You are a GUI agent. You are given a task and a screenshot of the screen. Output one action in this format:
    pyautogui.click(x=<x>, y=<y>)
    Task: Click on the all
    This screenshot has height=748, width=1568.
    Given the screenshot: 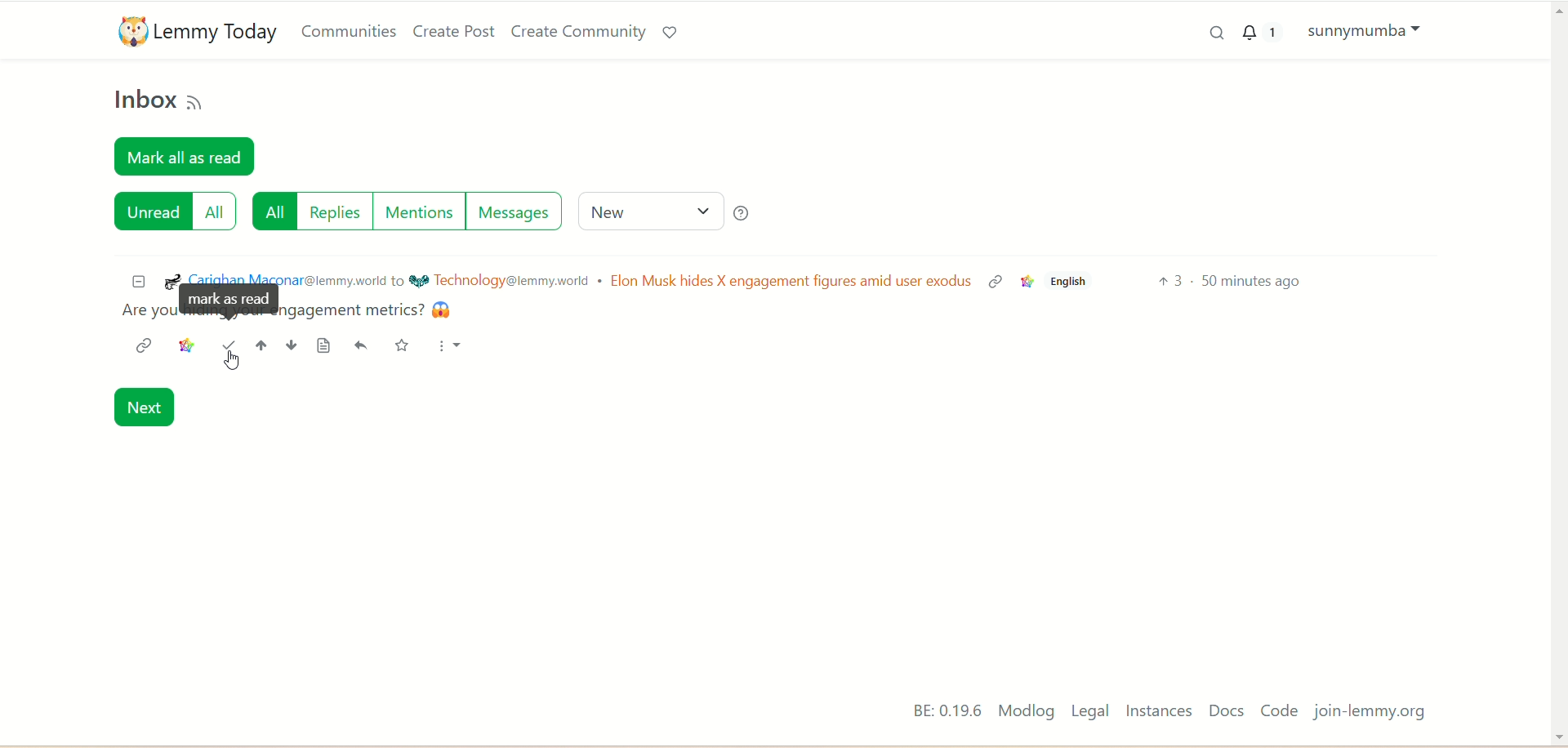 What is the action you would take?
    pyautogui.click(x=271, y=213)
    